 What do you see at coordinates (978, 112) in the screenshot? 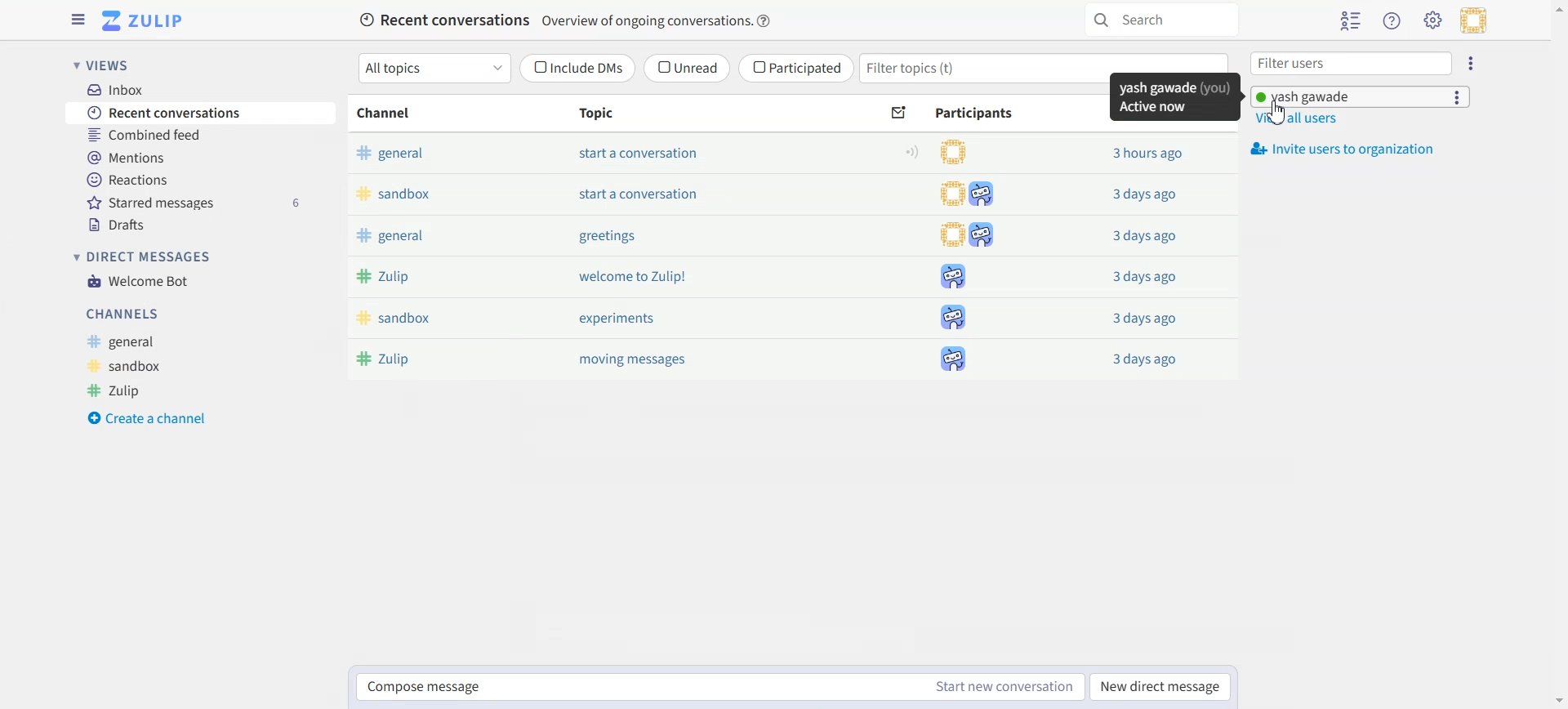
I see `Participants` at bounding box center [978, 112].